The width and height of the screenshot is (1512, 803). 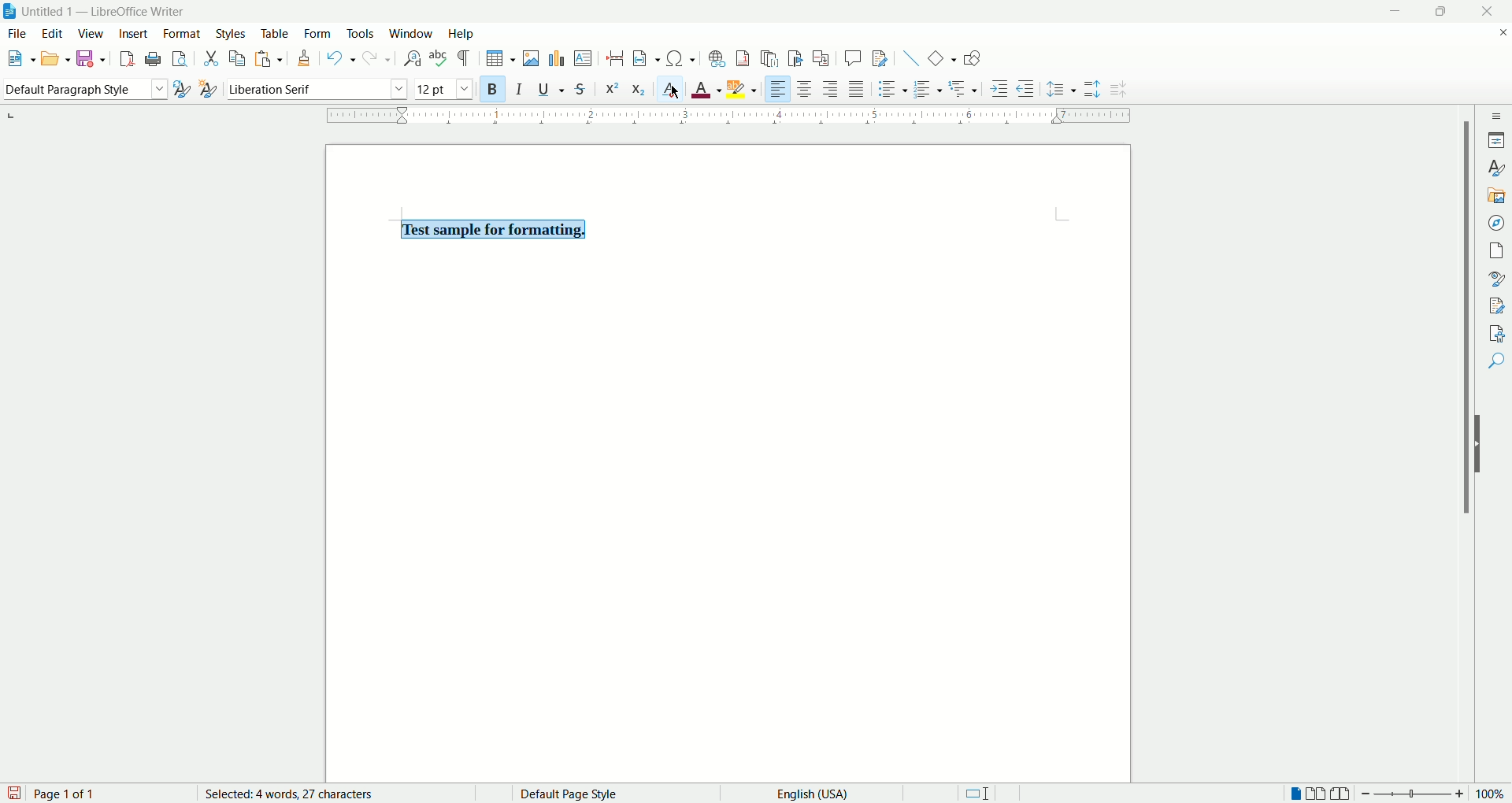 What do you see at coordinates (1291, 794) in the screenshot?
I see `single page view` at bounding box center [1291, 794].